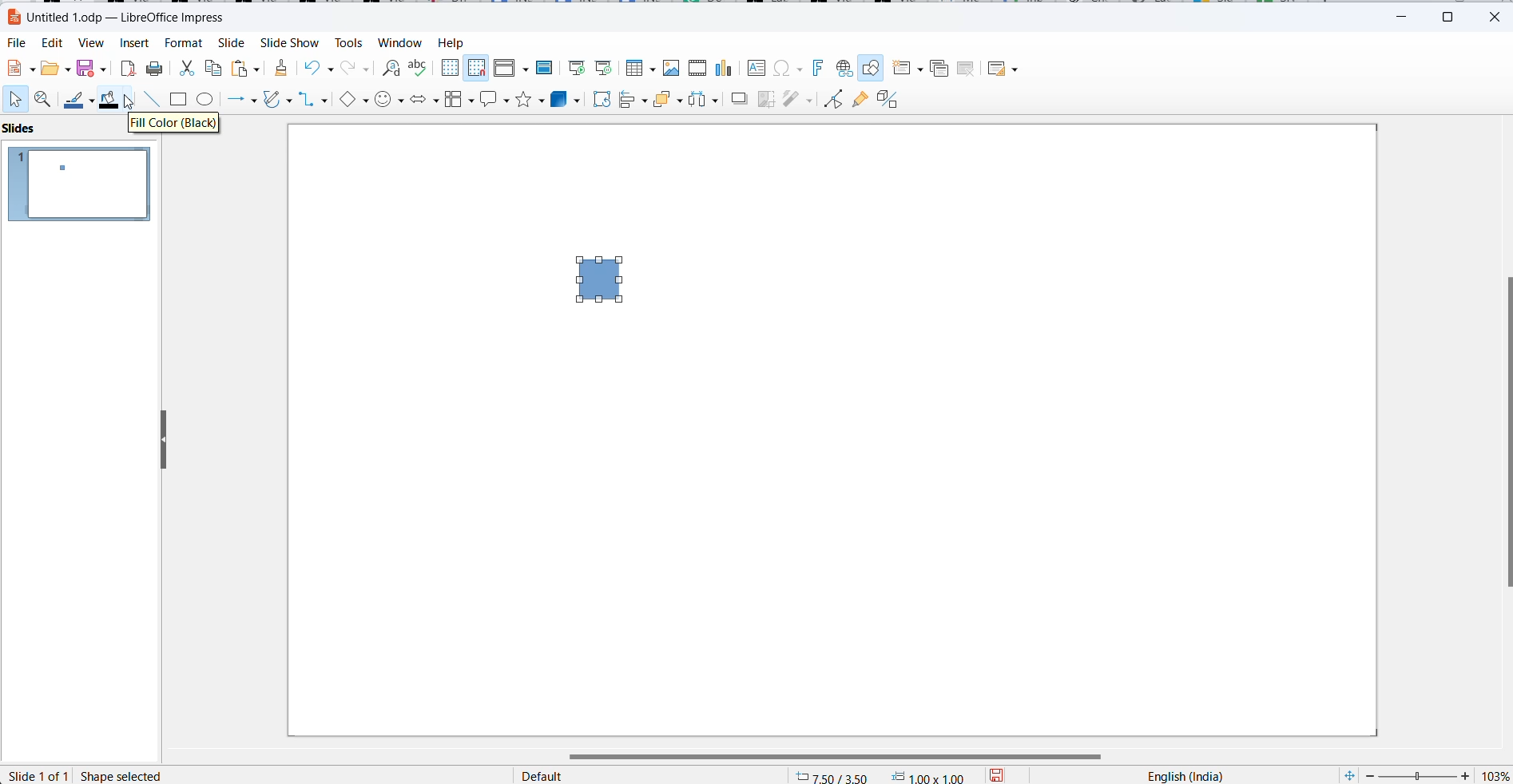 This screenshot has width=1513, height=784. I want to click on export as pdf, so click(126, 69).